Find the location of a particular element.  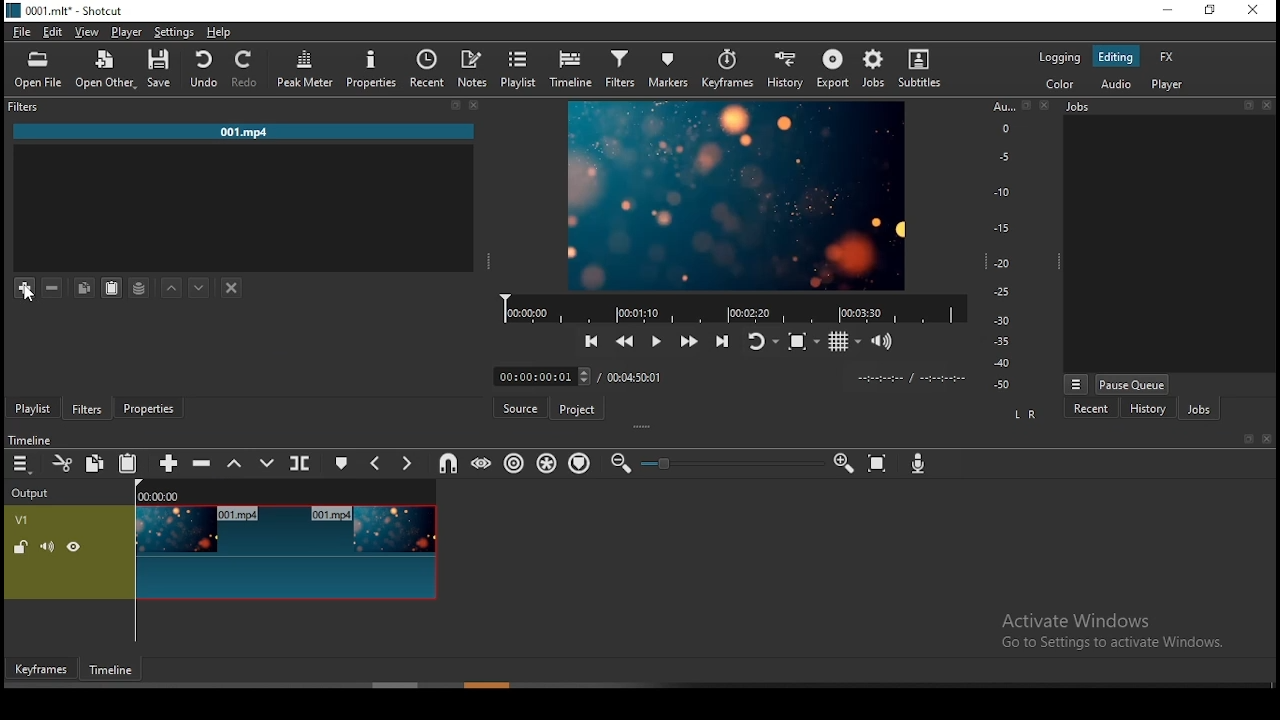

append is located at coordinates (162, 464).